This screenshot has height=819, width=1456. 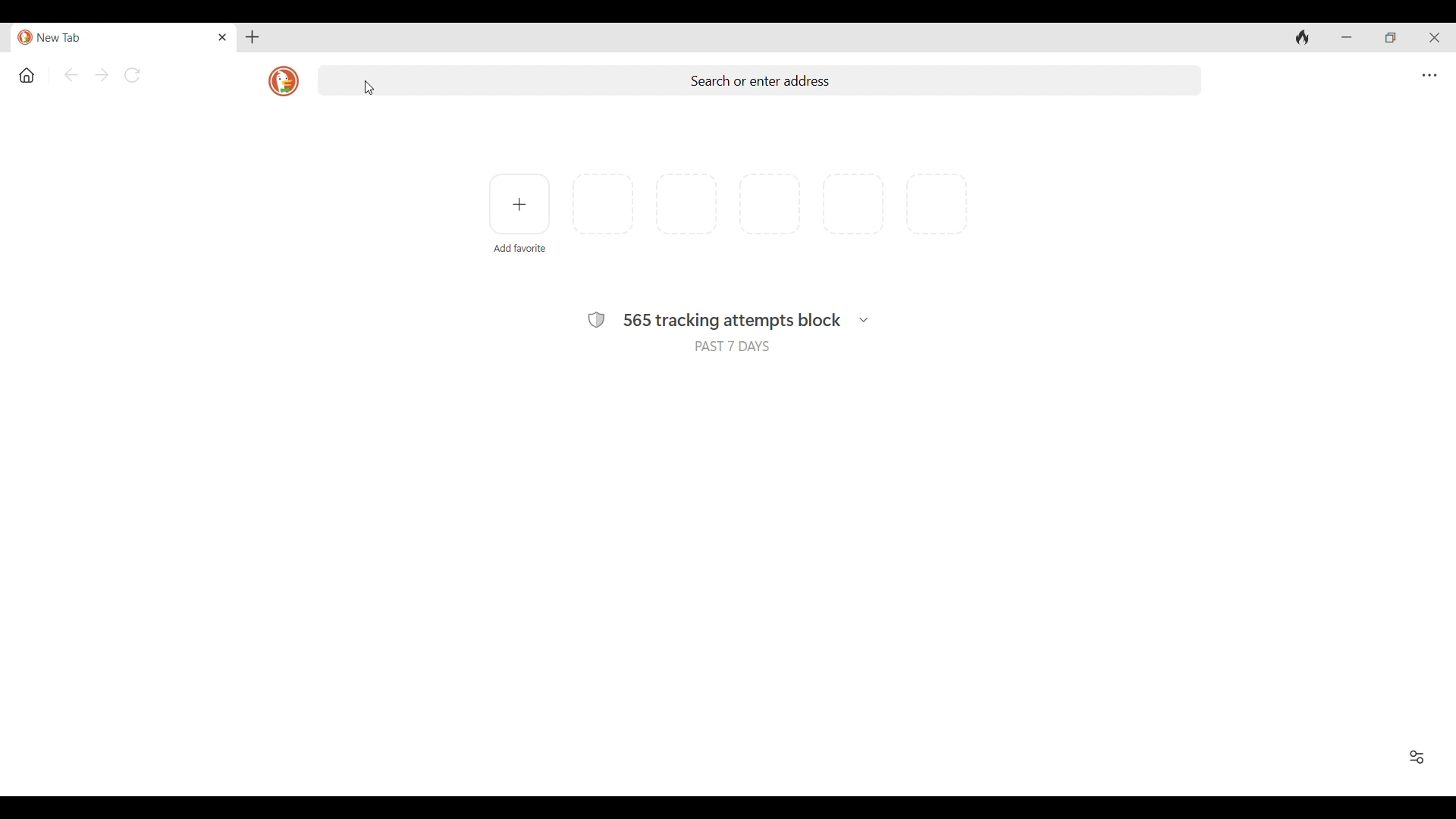 I want to click on Go back, so click(x=71, y=75).